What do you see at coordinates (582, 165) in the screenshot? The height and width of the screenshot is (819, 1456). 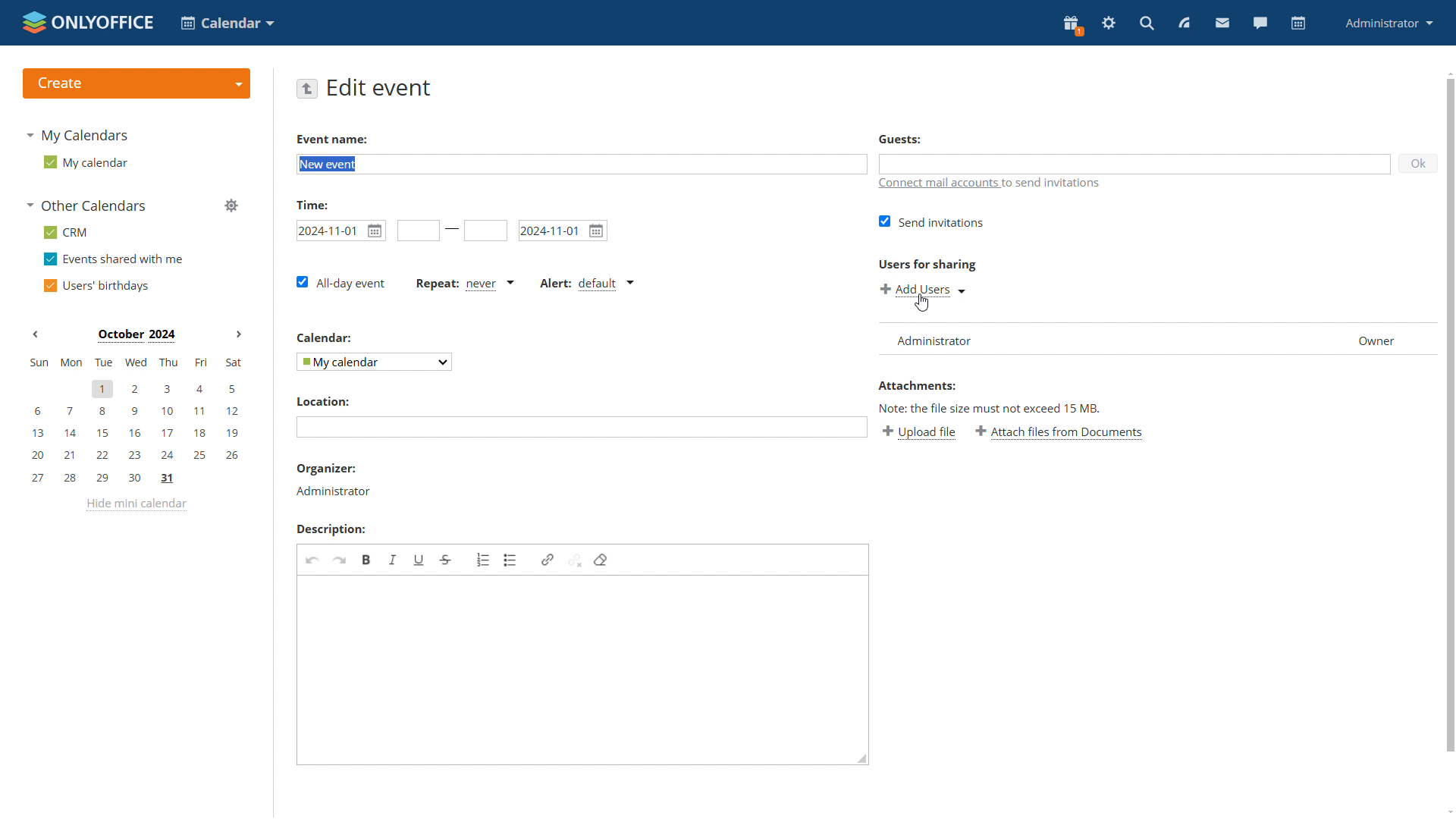 I see `edit event name` at bounding box center [582, 165].